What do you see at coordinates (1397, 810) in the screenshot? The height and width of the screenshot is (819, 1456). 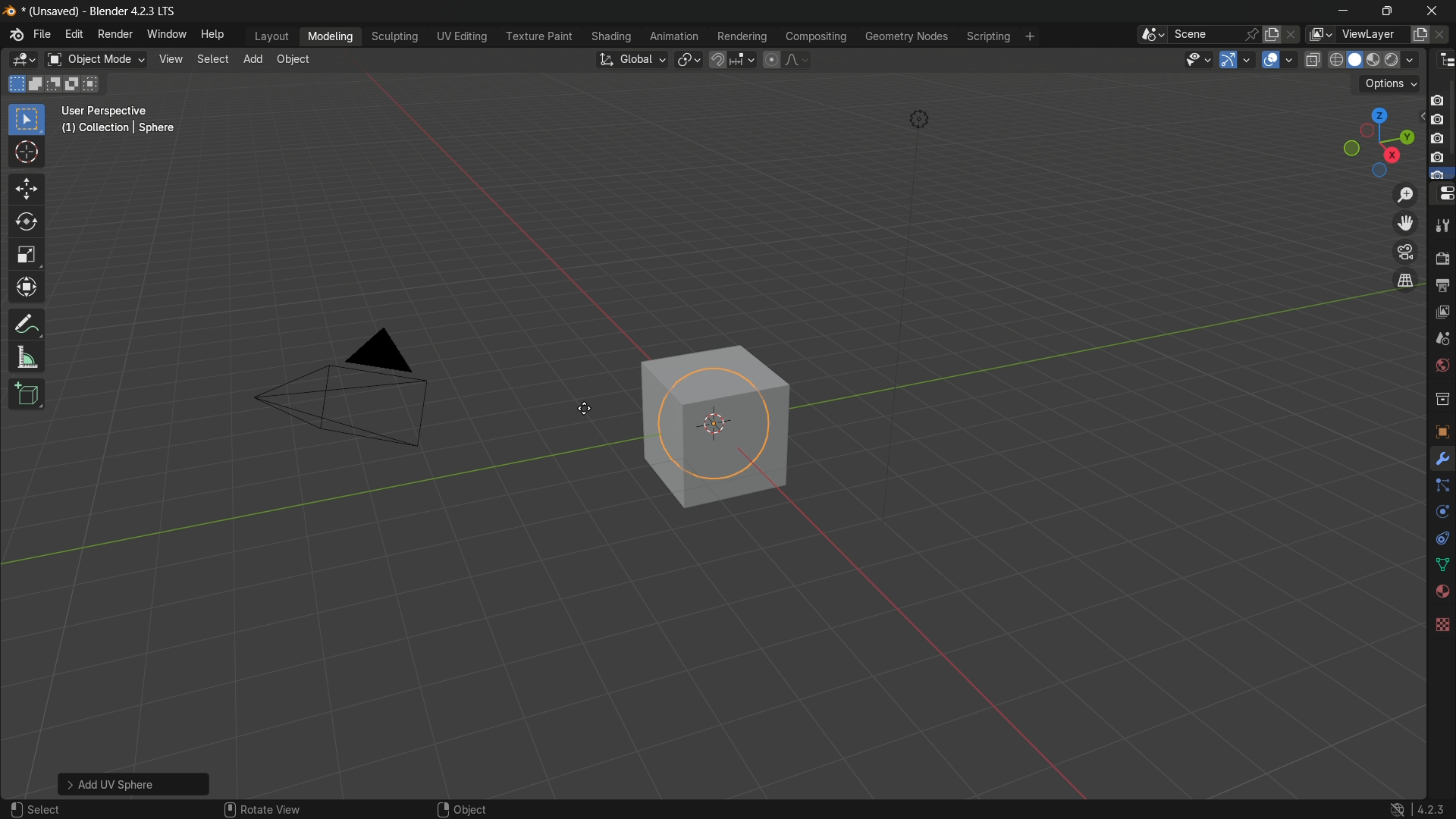 I see `logo` at bounding box center [1397, 810].